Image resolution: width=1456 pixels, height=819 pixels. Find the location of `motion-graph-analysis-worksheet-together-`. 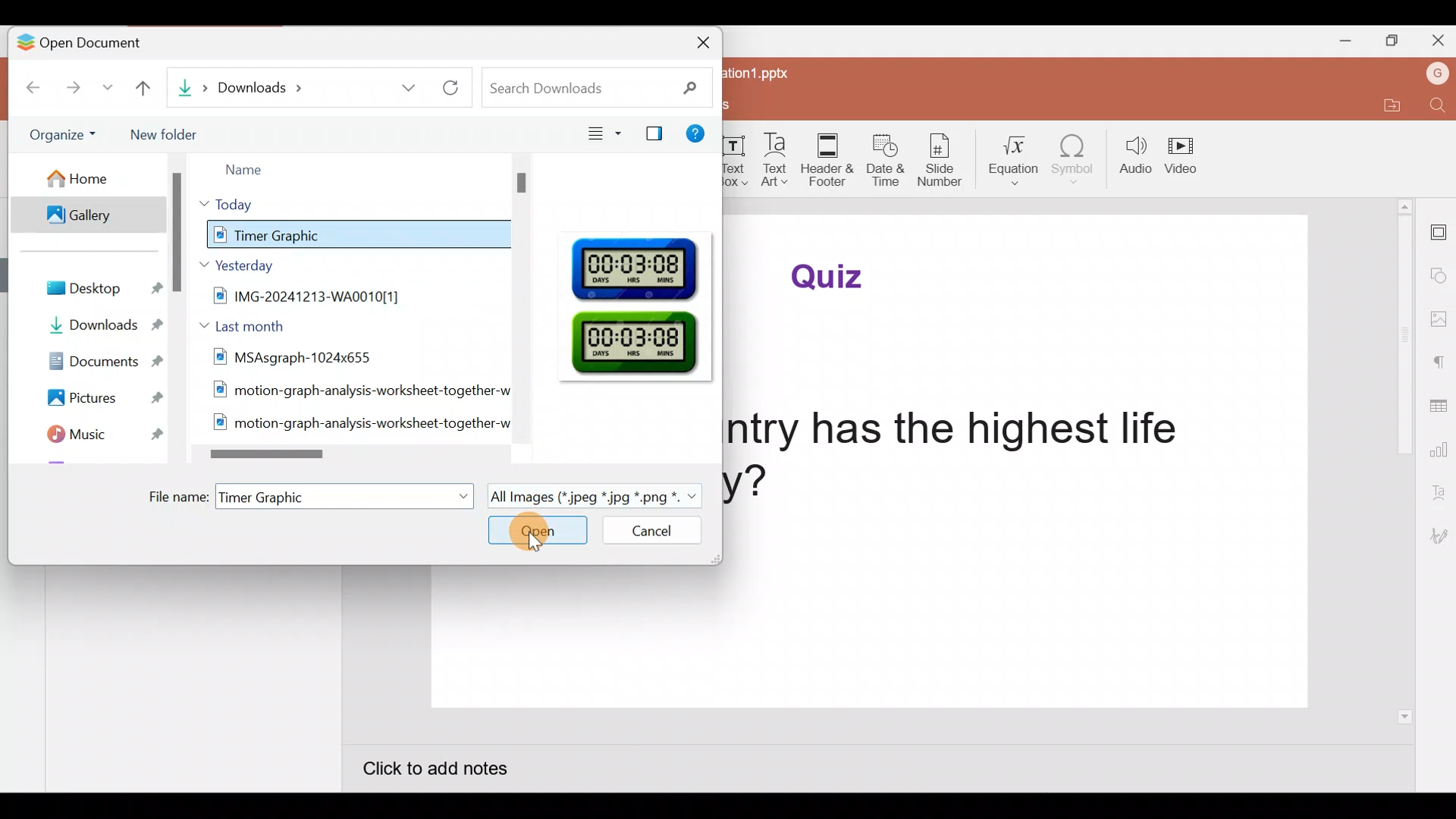

motion-graph-analysis-worksheet-together- is located at coordinates (357, 425).